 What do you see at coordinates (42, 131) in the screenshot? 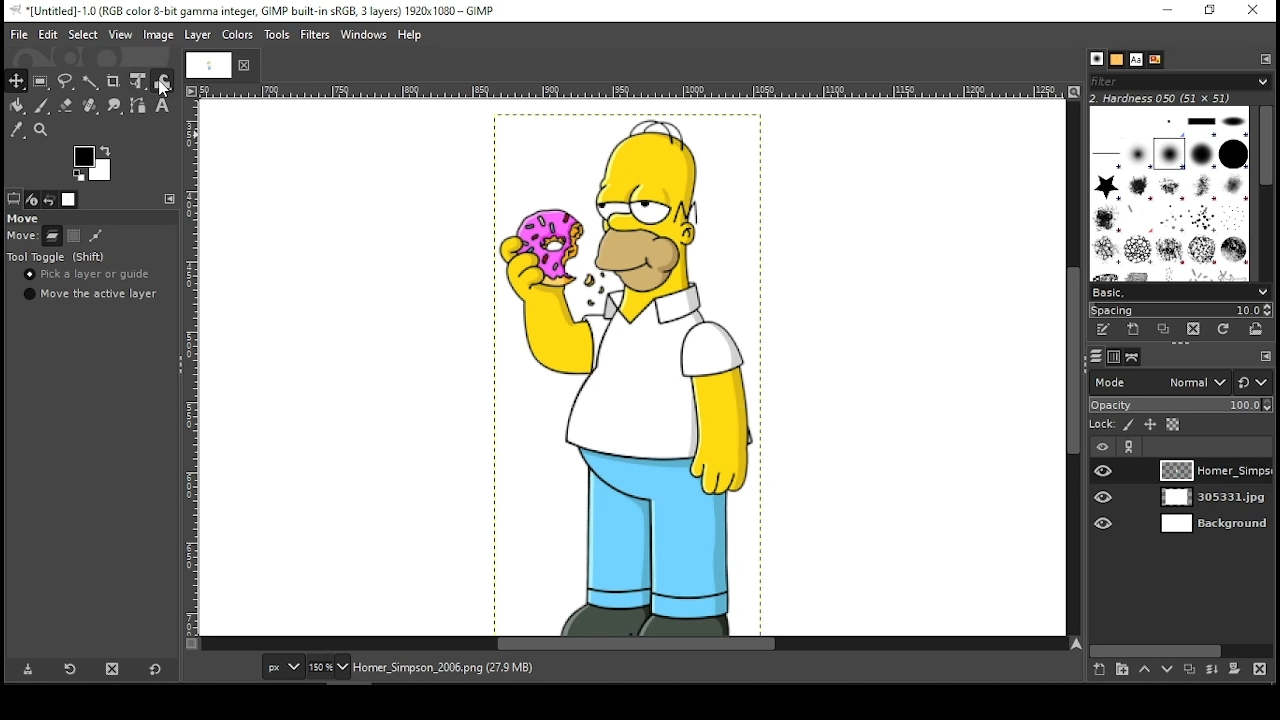
I see `zoom tool` at bounding box center [42, 131].